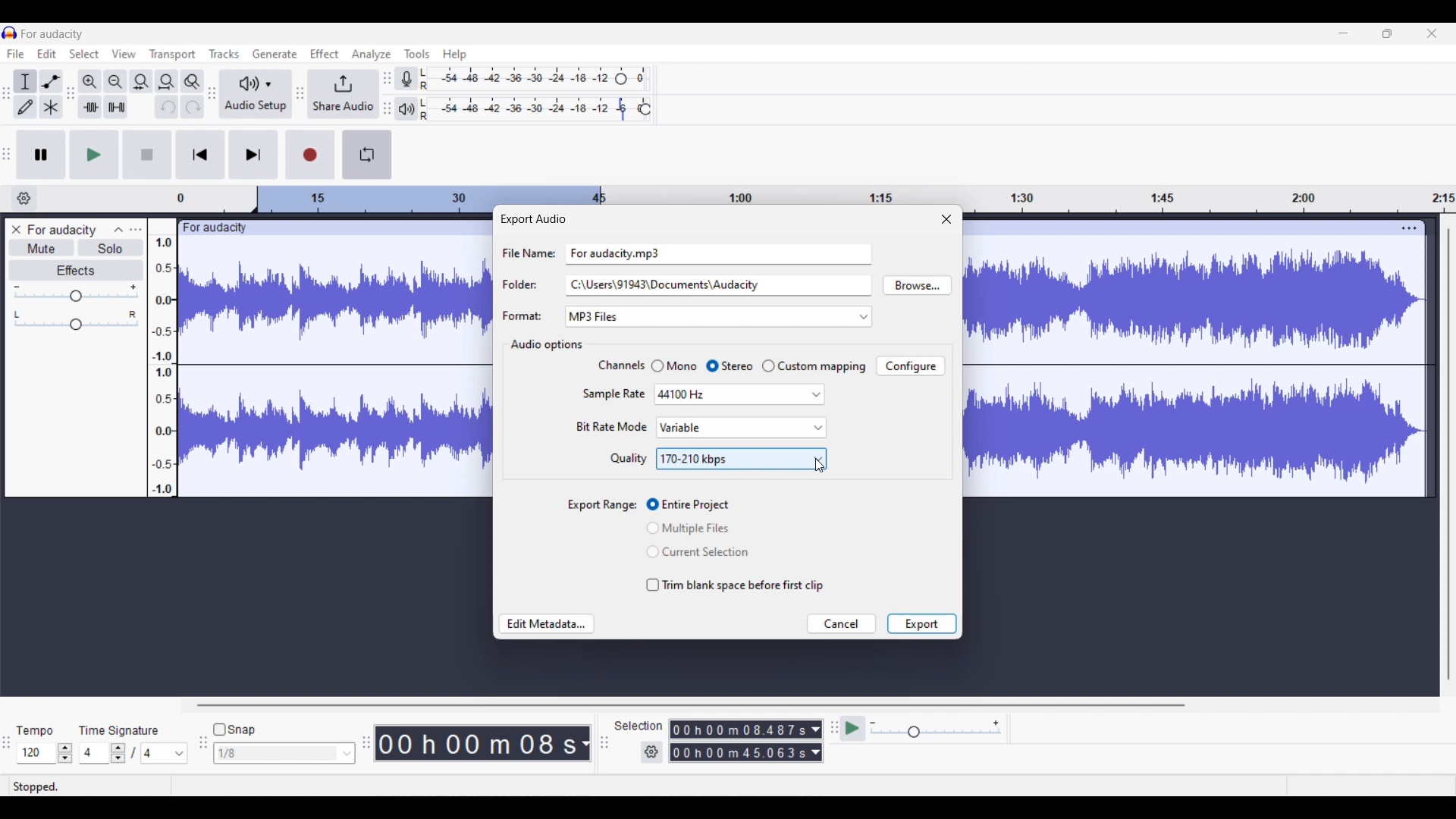  What do you see at coordinates (136, 229) in the screenshot?
I see `Open menu` at bounding box center [136, 229].